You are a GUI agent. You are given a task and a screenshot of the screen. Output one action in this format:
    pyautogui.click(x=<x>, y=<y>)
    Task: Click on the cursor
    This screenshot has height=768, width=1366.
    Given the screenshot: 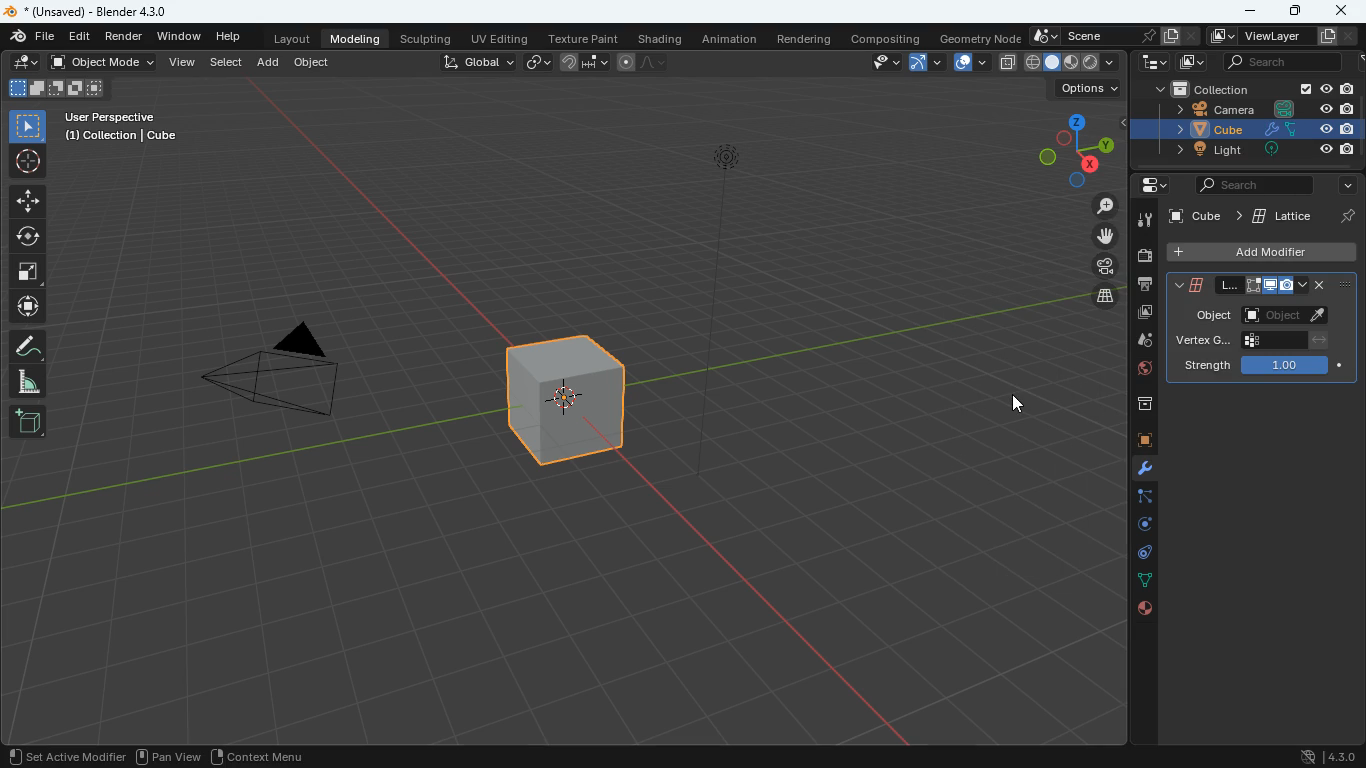 What is the action you would take?
    pyautogui.click(x=1014, y=401)
    